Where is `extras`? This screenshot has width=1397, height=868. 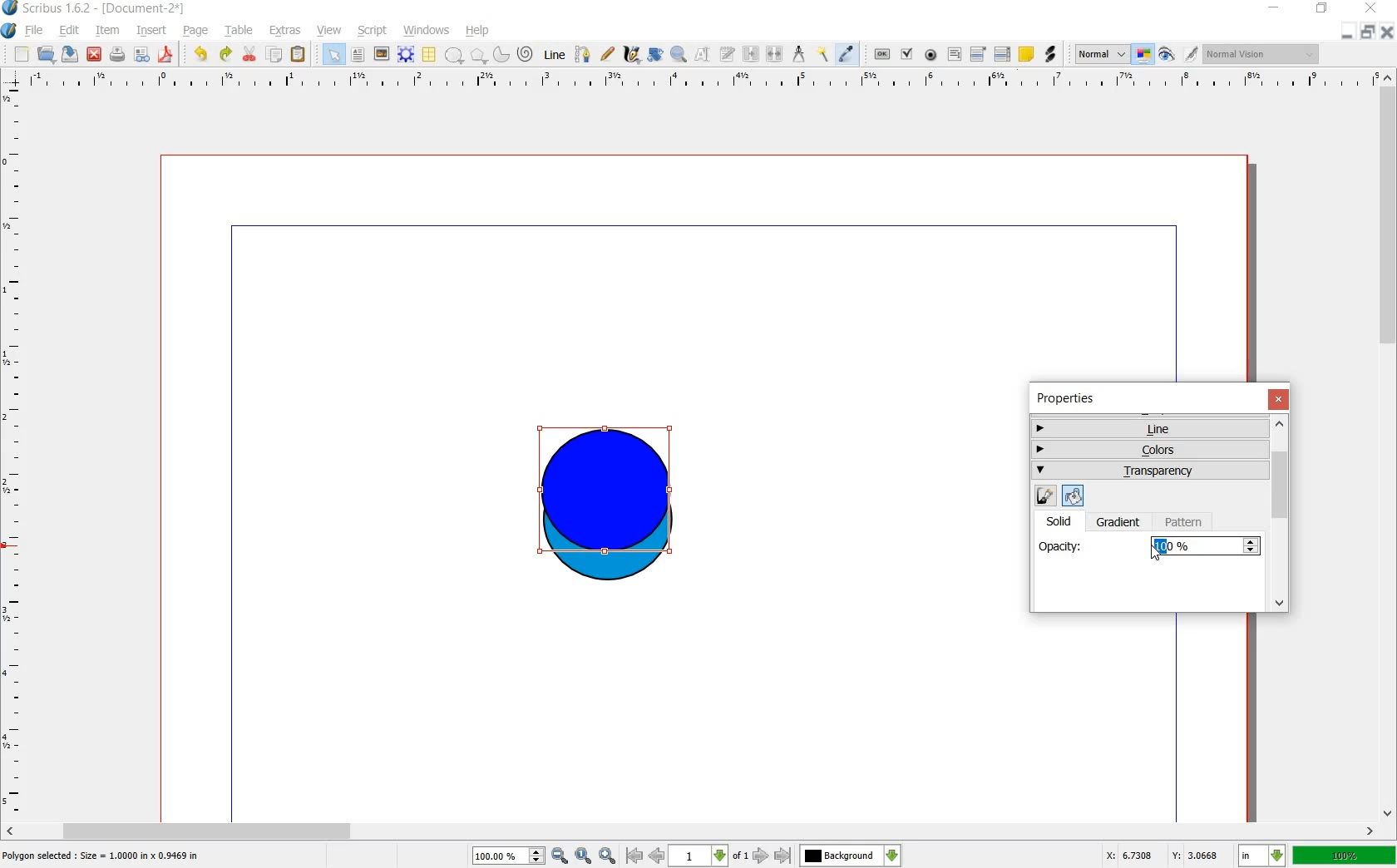 extras is located at coordinates (285, 31).